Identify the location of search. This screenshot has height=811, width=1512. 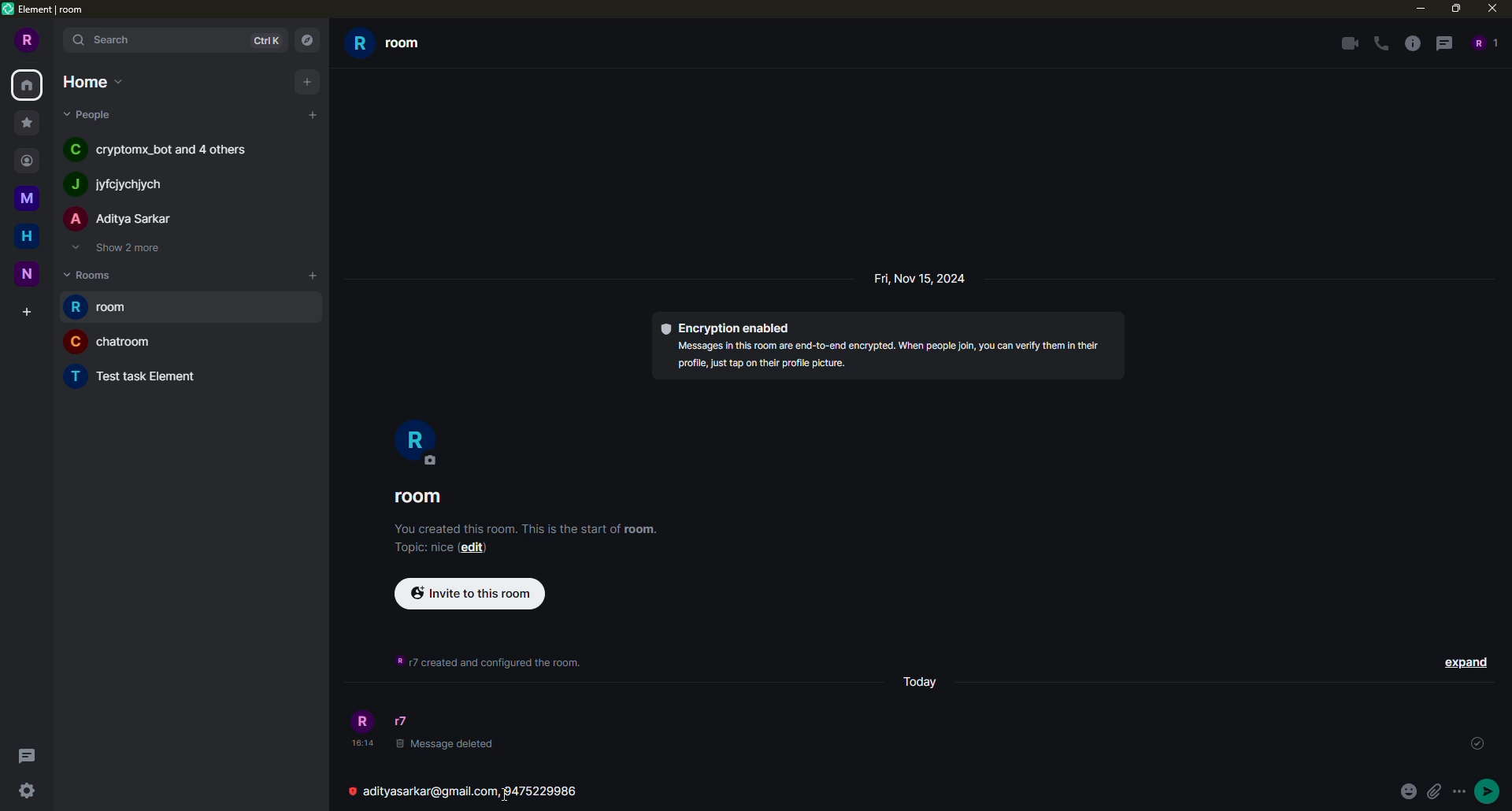
(107, 40).